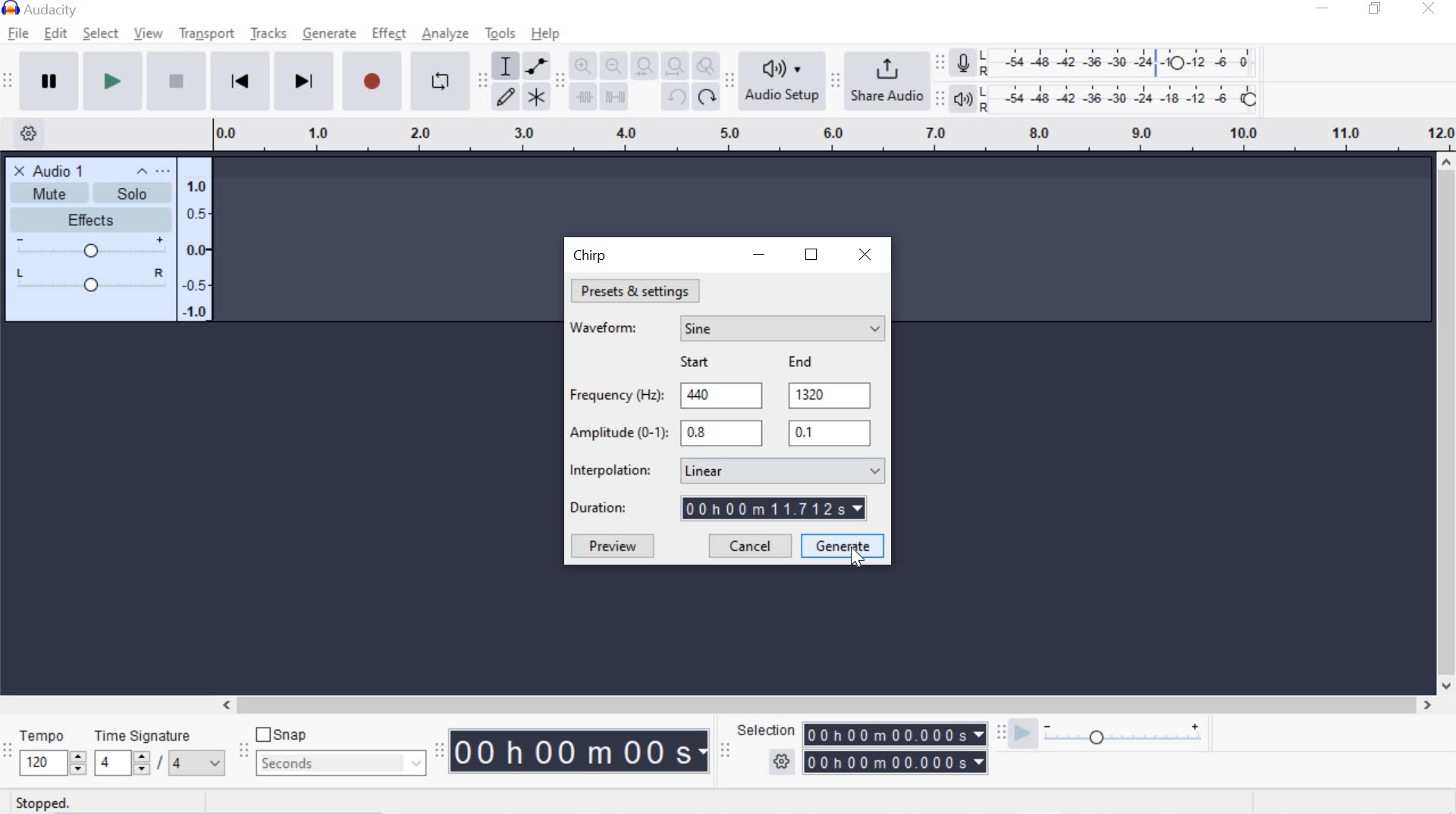 Image resolution: width=1456 pixels, height=814 pixels. What do you see at coordinates (673, 66) in the screenshot?
I see `Fit project to width` at bounding box center [673, 66].